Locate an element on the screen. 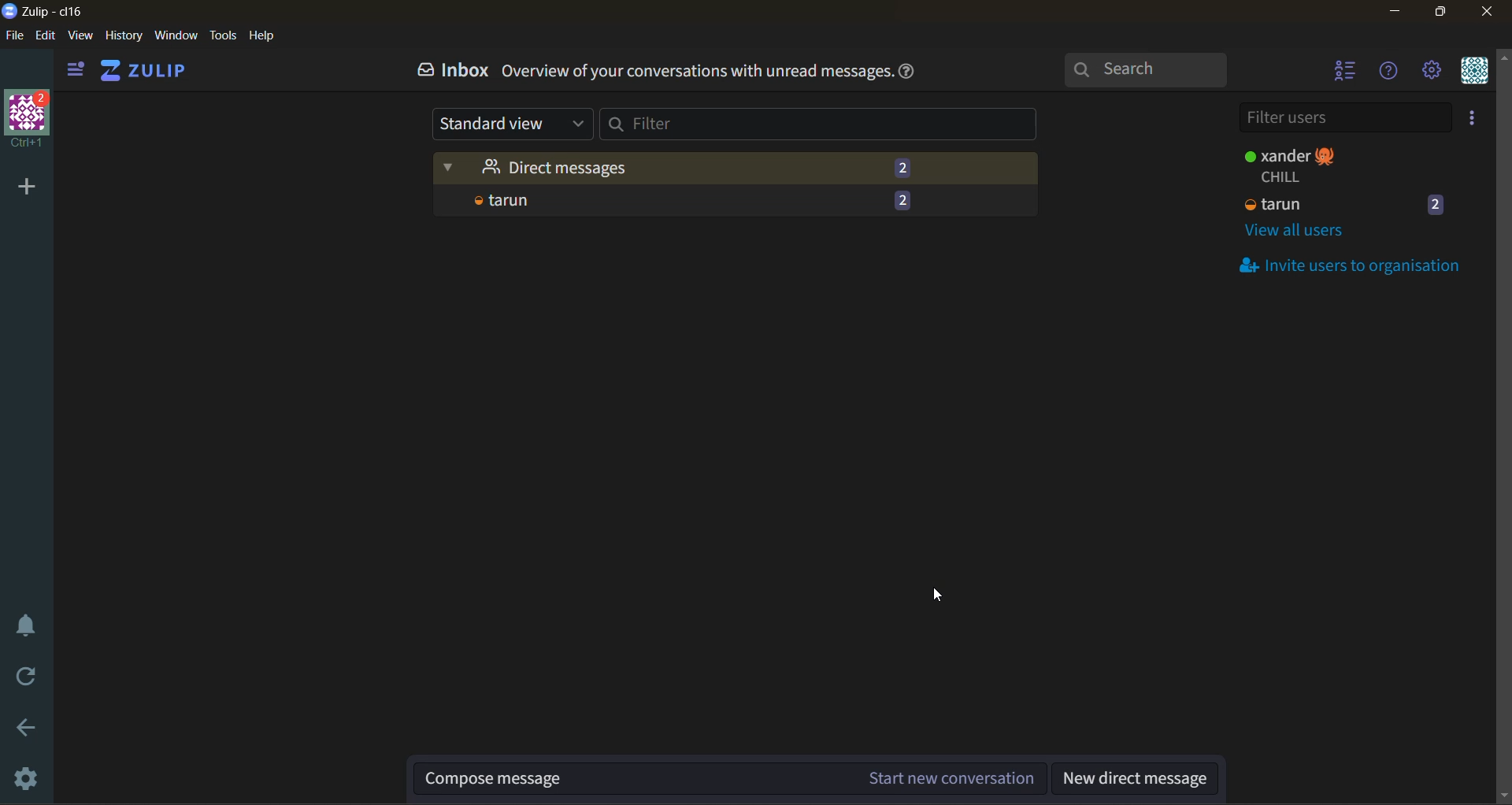 This screenshot has width=1512, height=805. maximize is located at coordinates (1440, 14).